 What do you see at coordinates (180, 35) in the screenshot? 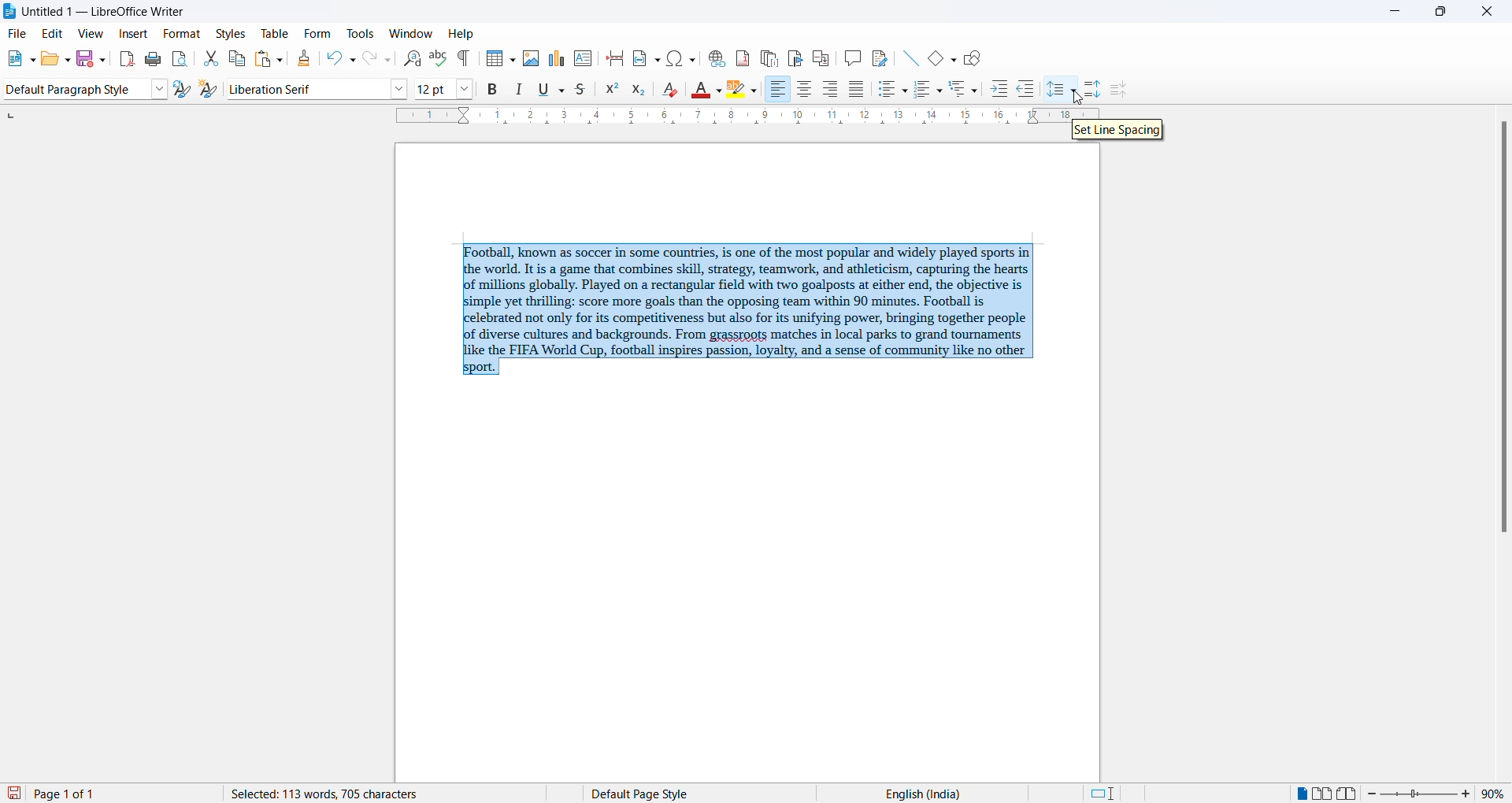
I see `format` at bounding box center [180, 35].